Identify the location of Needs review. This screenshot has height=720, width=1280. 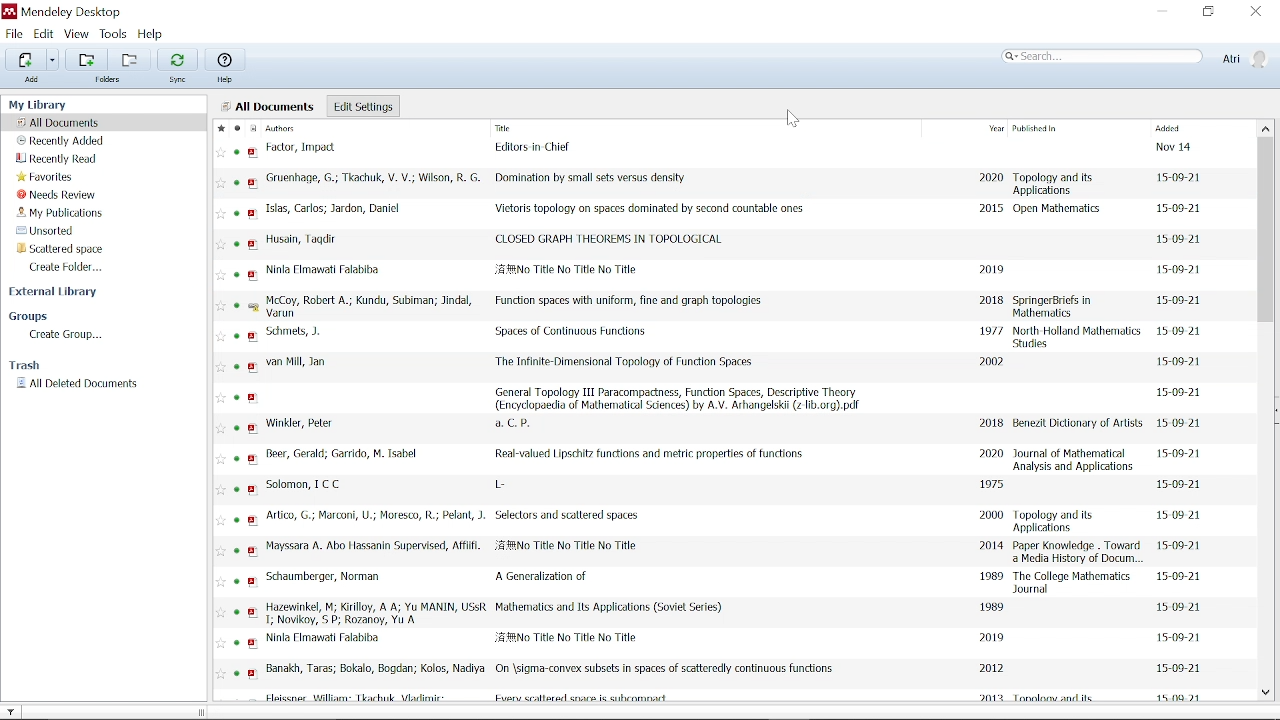
(59, 195).